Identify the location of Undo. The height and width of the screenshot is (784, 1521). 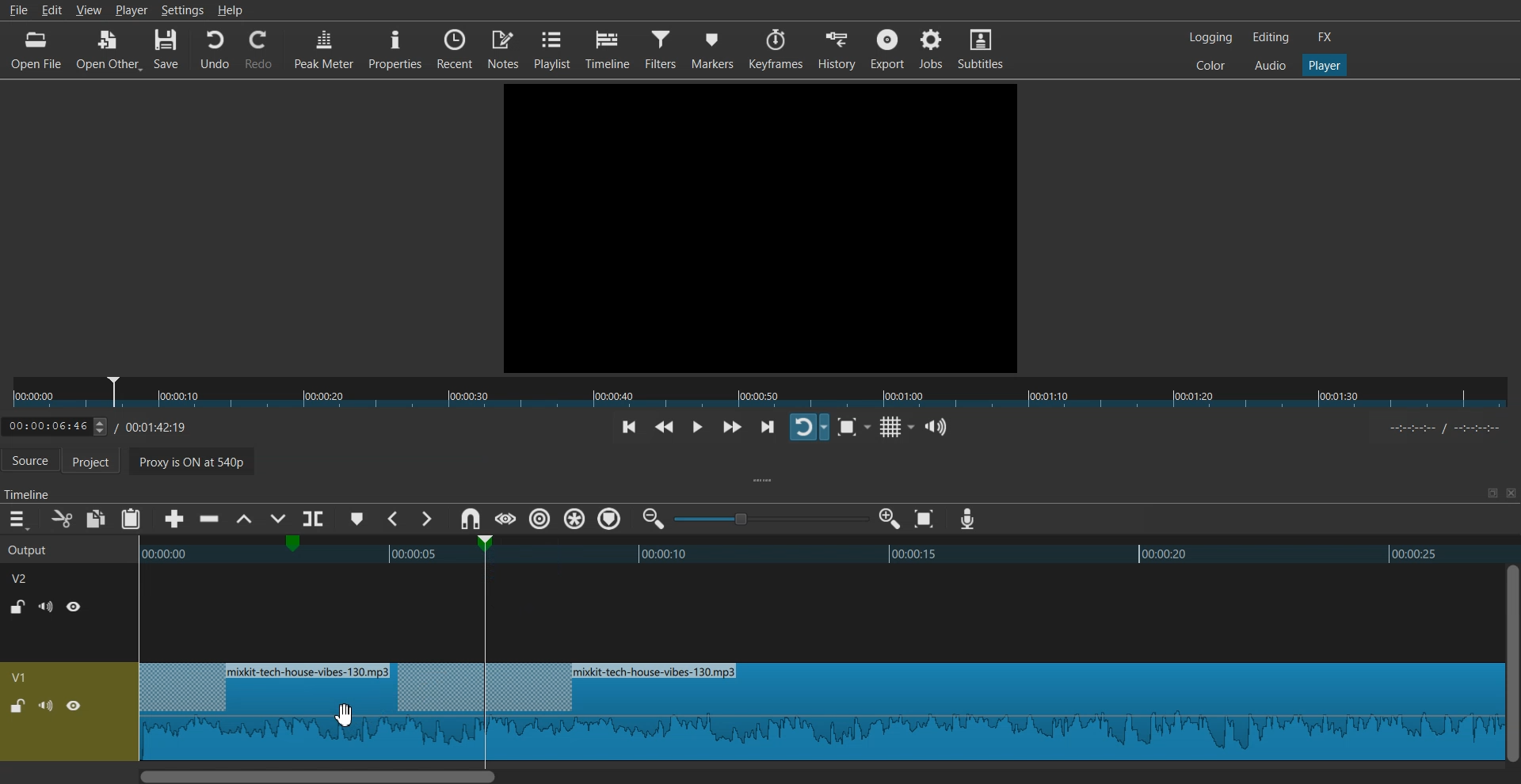
(215, 50).